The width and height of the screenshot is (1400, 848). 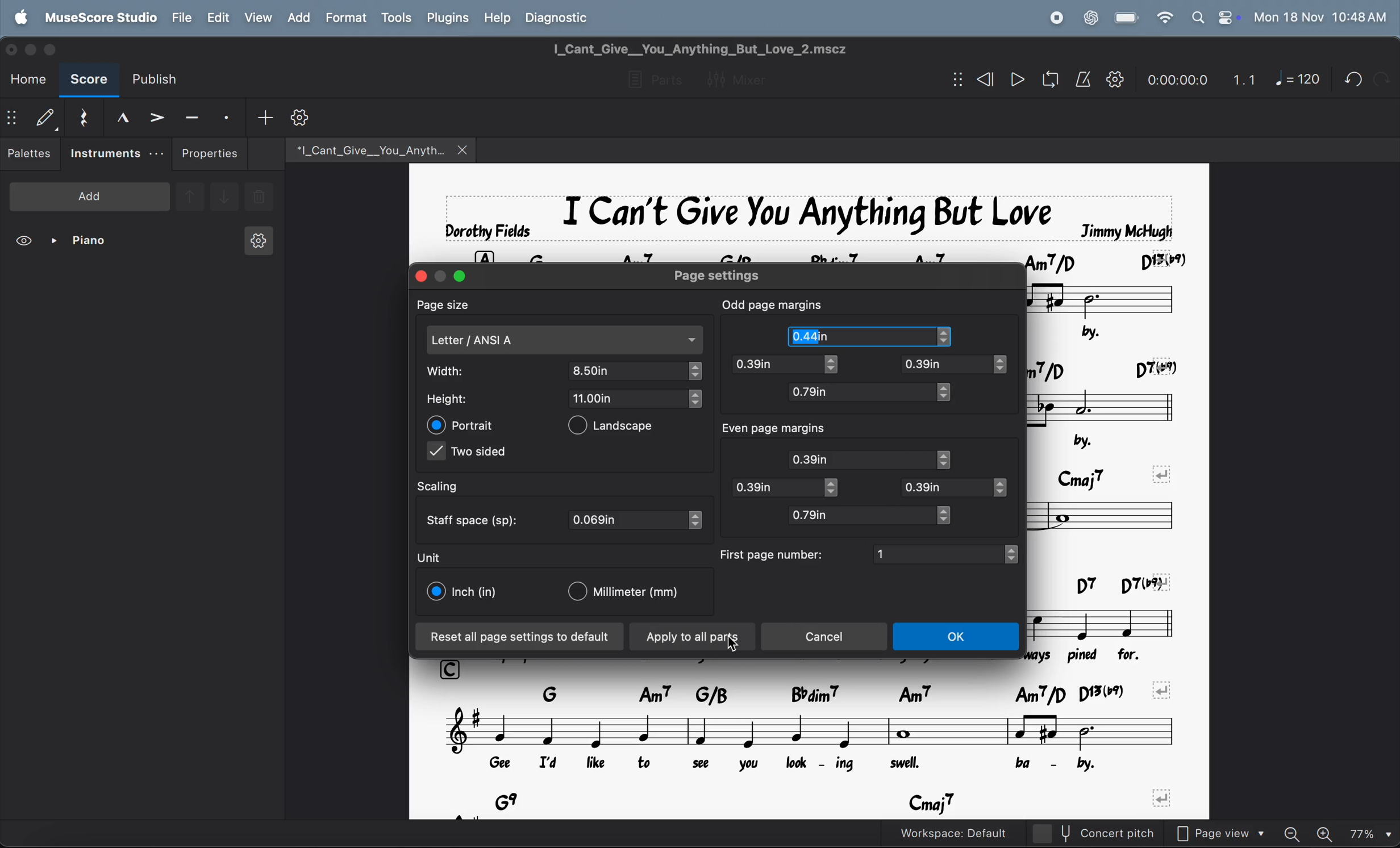 I want to click on cursor, so click(x=735, y=645).